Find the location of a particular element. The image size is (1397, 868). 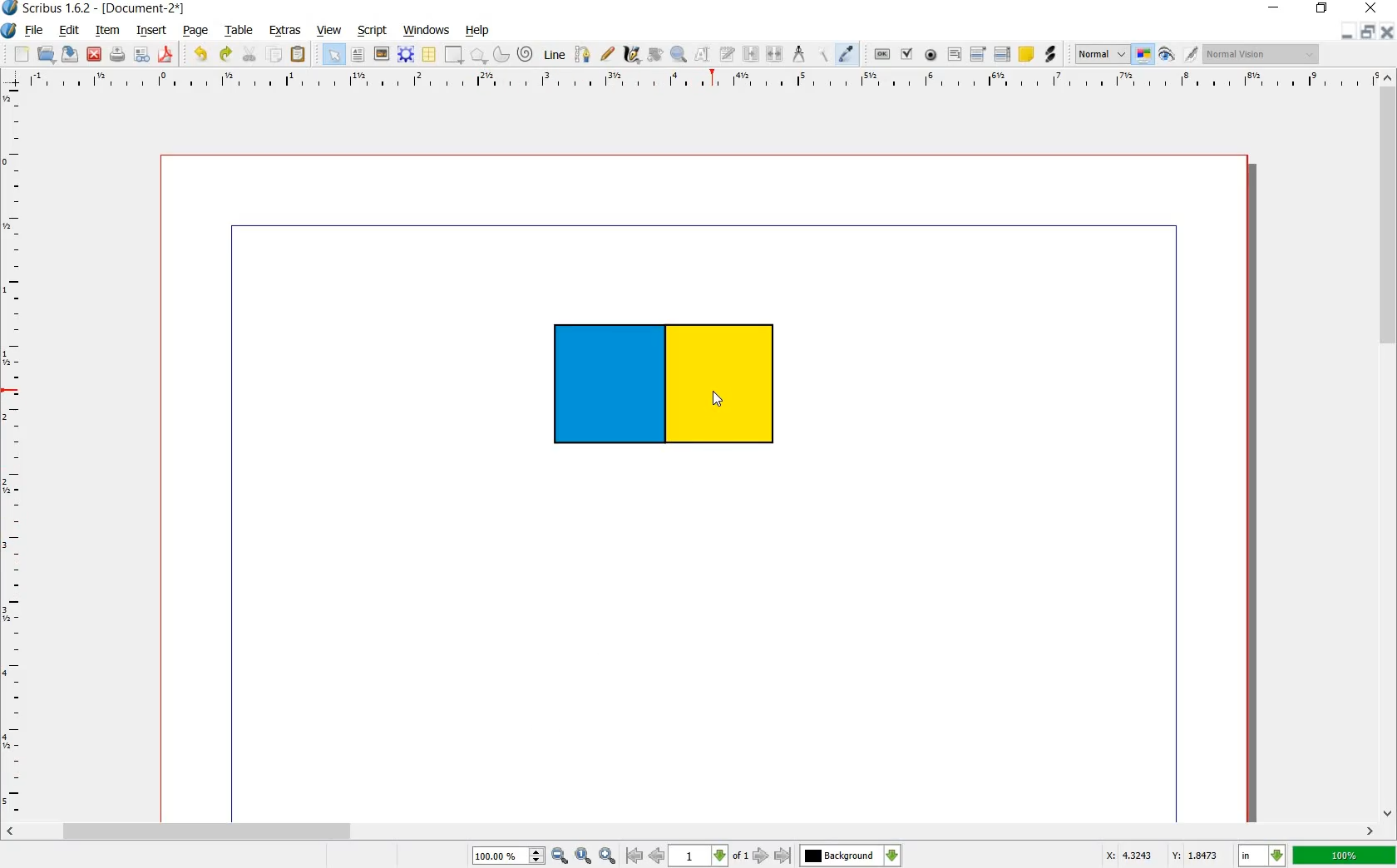

copy is located at coordinates (274, 56).